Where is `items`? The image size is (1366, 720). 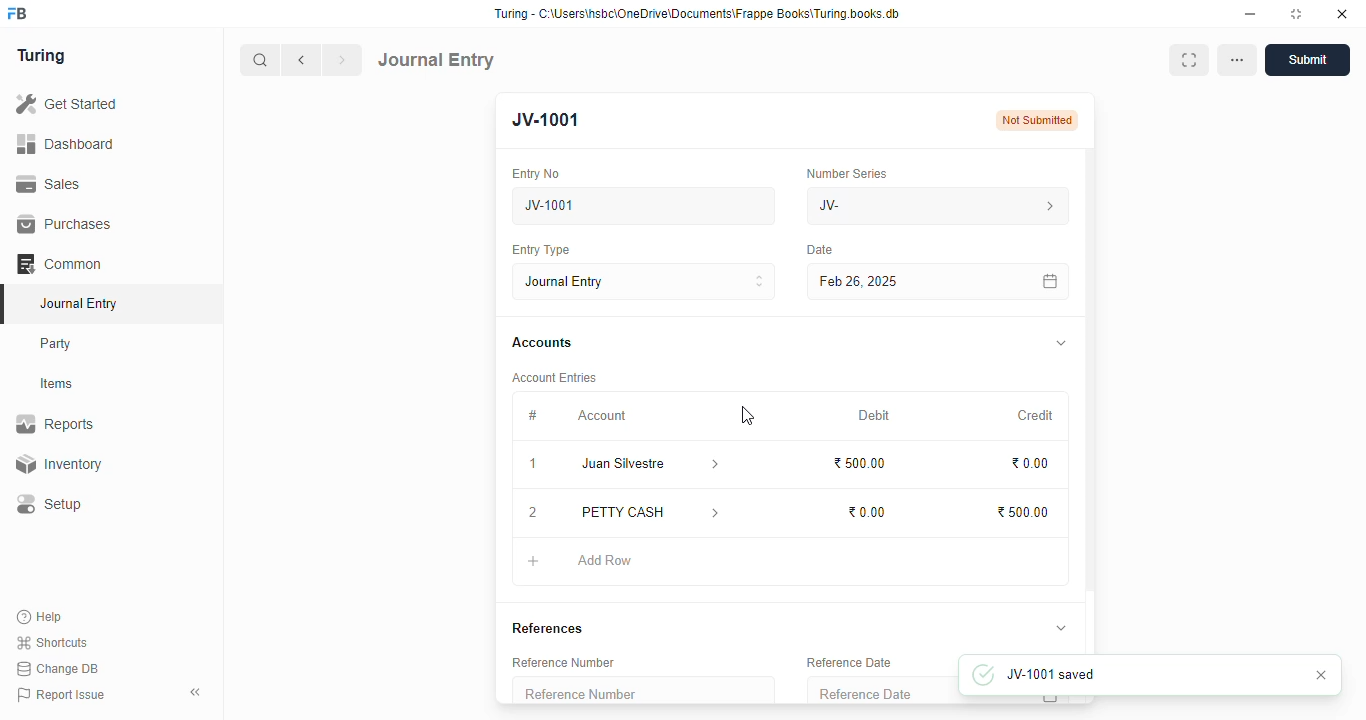 items is located at coordinates (59, 384).